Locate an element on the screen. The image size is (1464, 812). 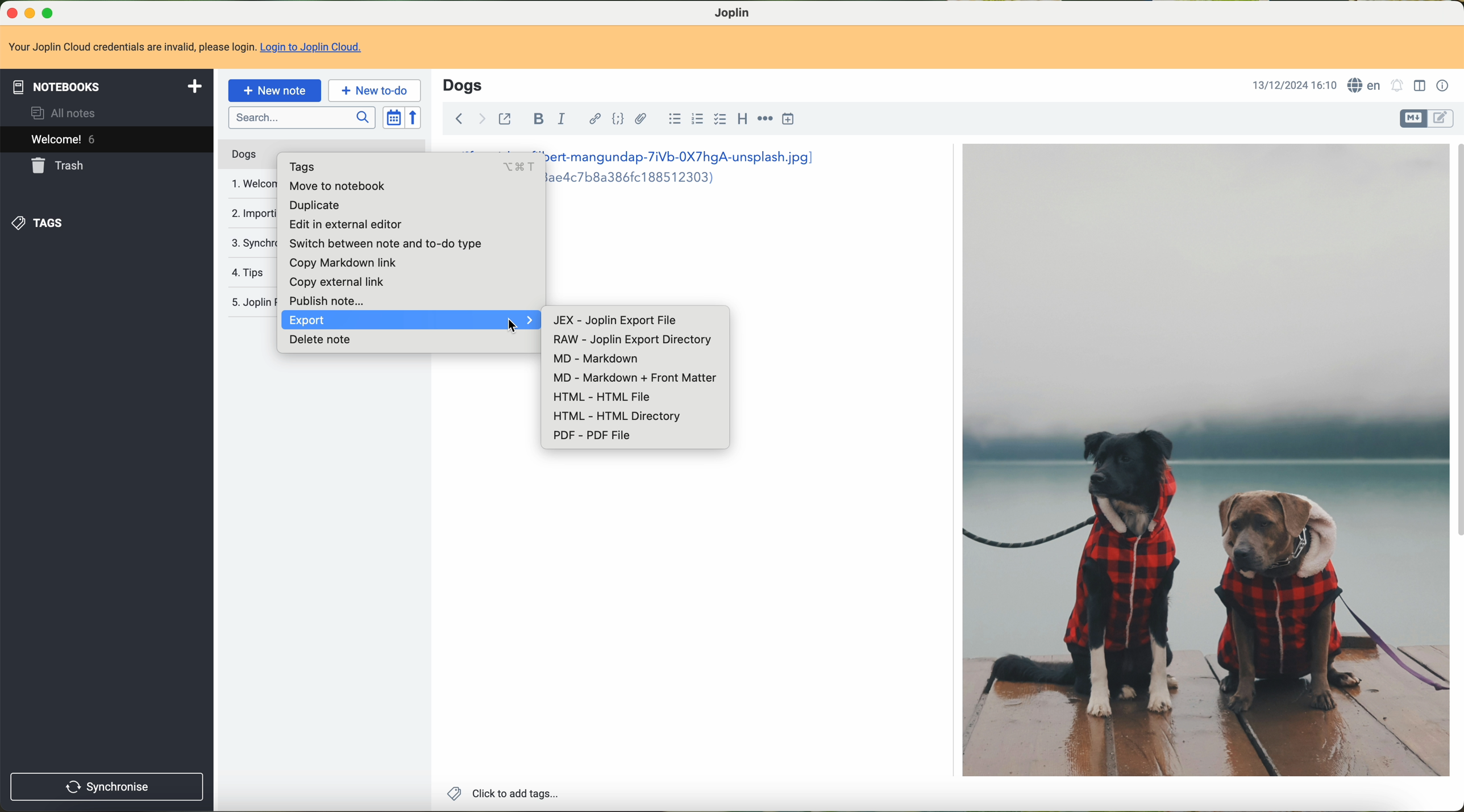
ert-mangundap-7iVb-0X7hgA-unsplash.jpg]
aedc7bB8a386fc188512303) is located at coordinates (691, 171).